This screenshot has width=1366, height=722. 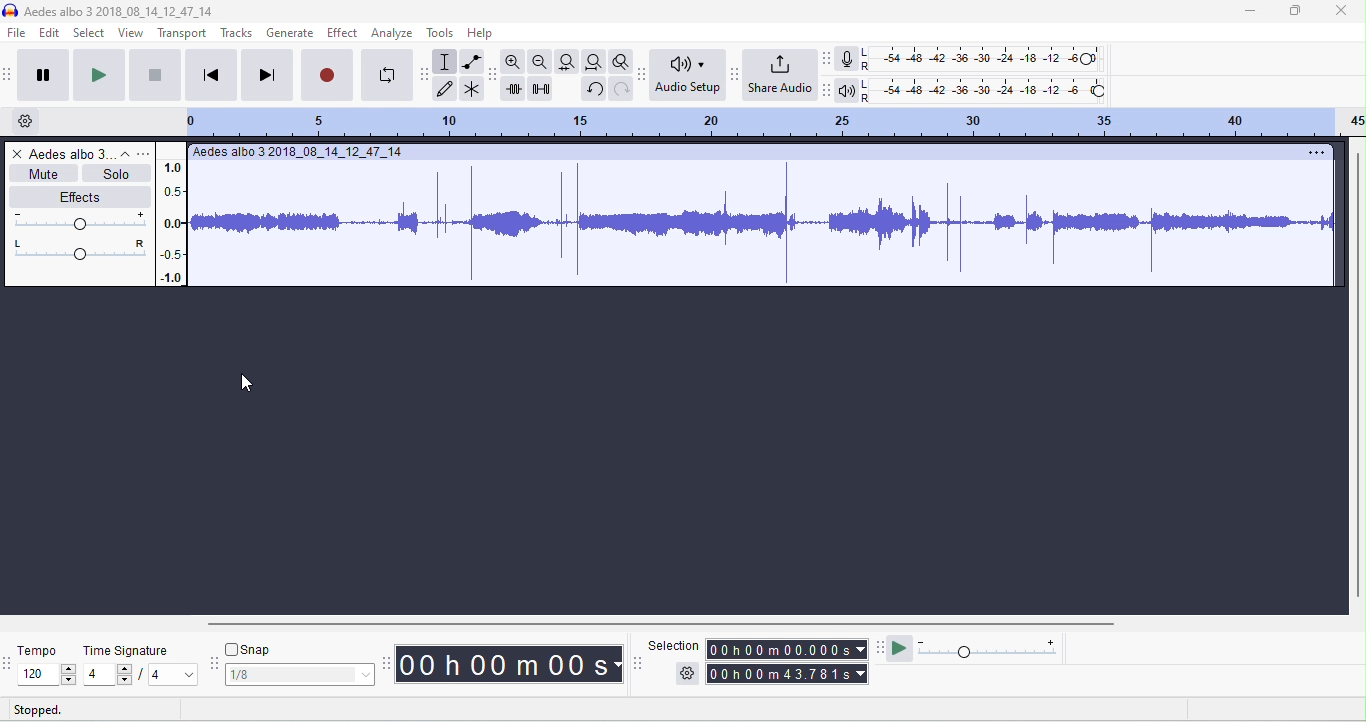 What do you see at coordinates (76, 219) in the screenshot?
I see `volume` at bounding box center [76, 219].